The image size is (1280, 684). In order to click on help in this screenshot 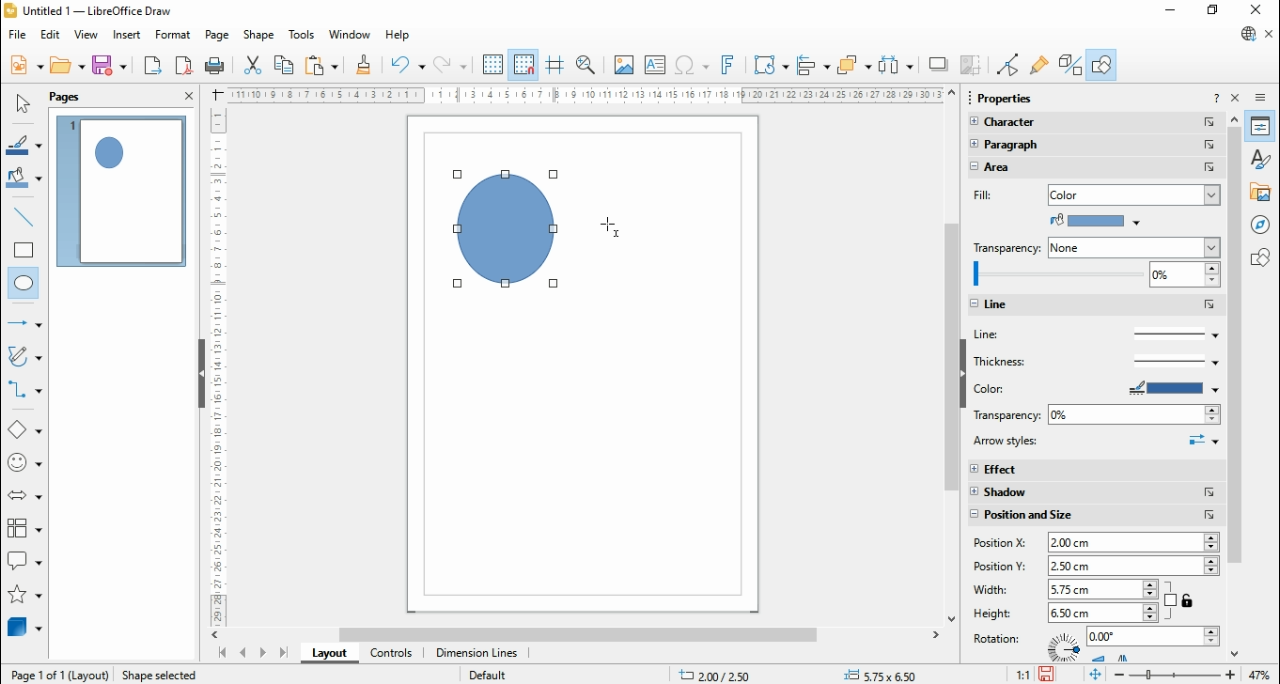, I will do `click(398, 36)`.